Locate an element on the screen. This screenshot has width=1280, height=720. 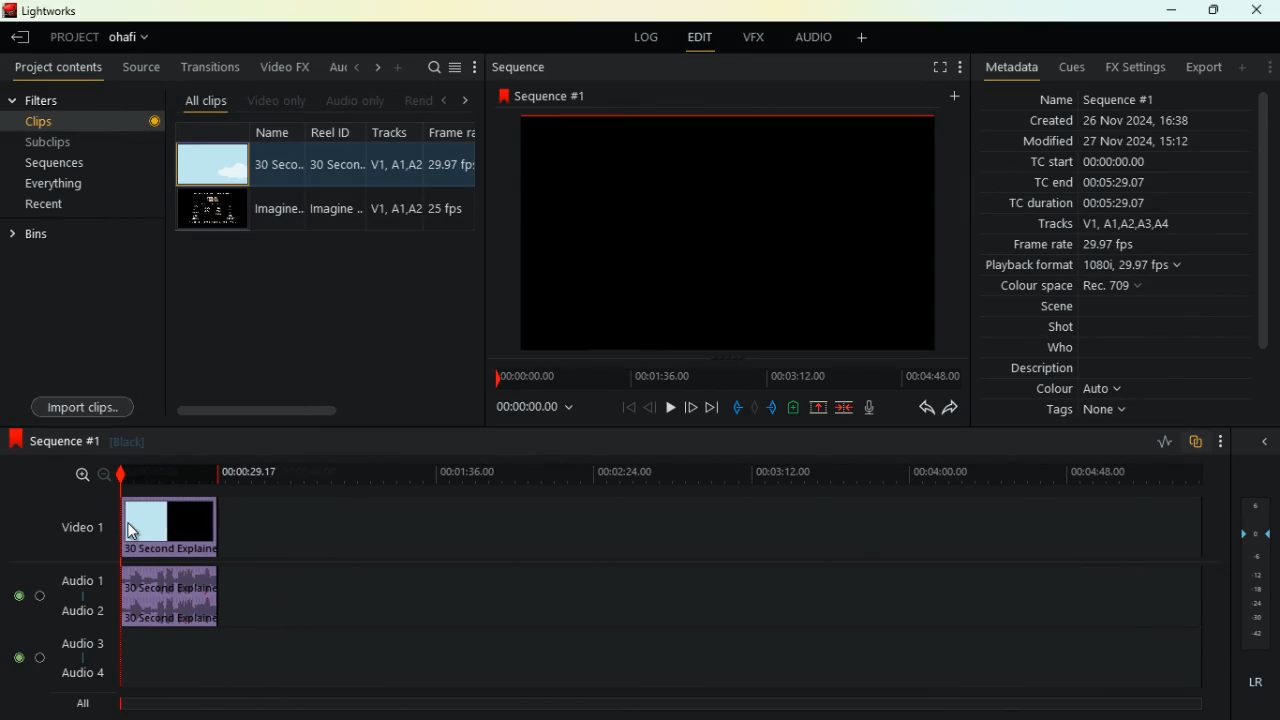
playback format is located at coordinates (1087, 266).